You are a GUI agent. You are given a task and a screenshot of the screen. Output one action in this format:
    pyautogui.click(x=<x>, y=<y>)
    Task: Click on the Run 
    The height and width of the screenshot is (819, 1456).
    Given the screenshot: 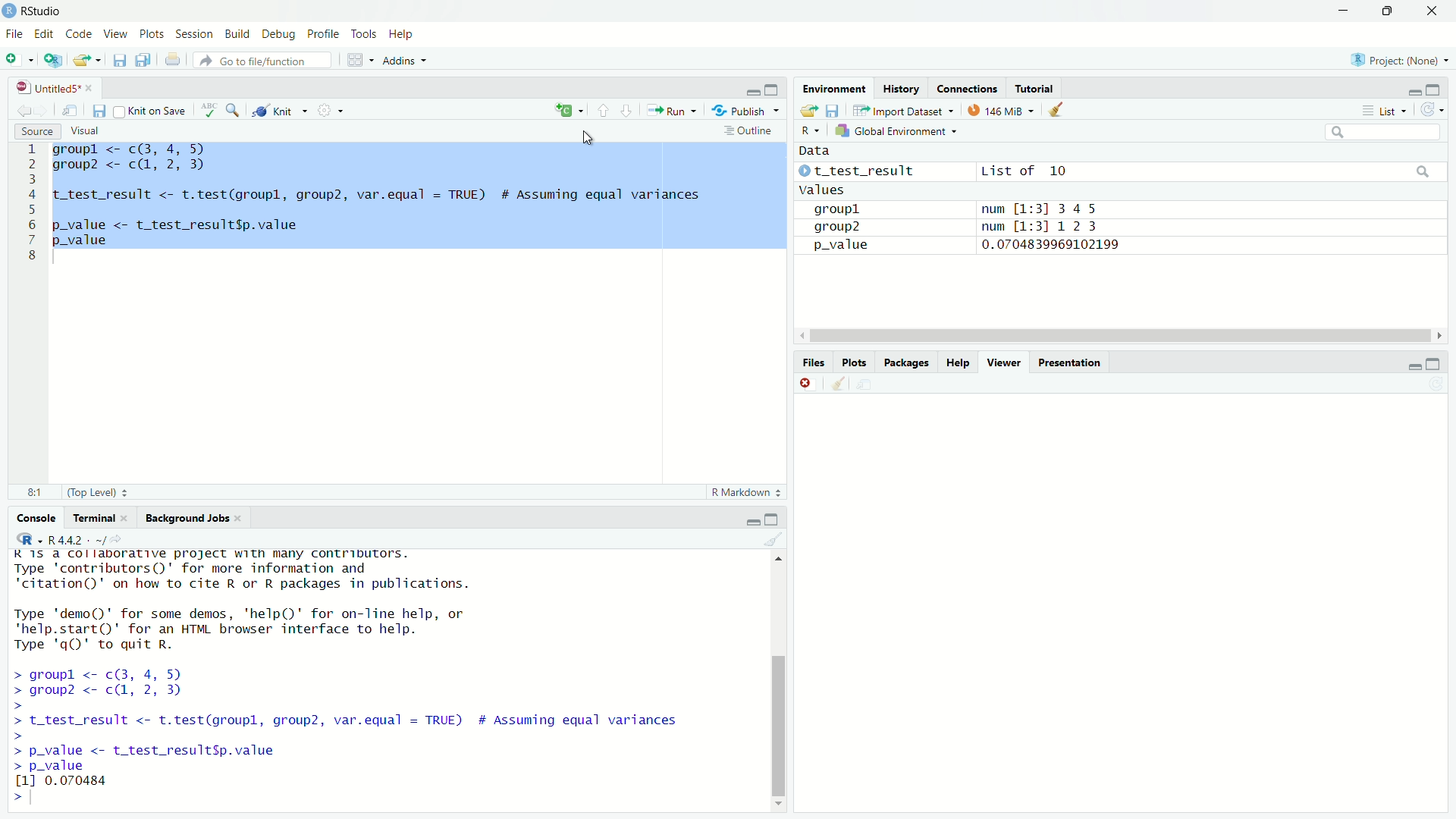 What is the action you would take?
    pyautogui.click(x=668, y=109)
    